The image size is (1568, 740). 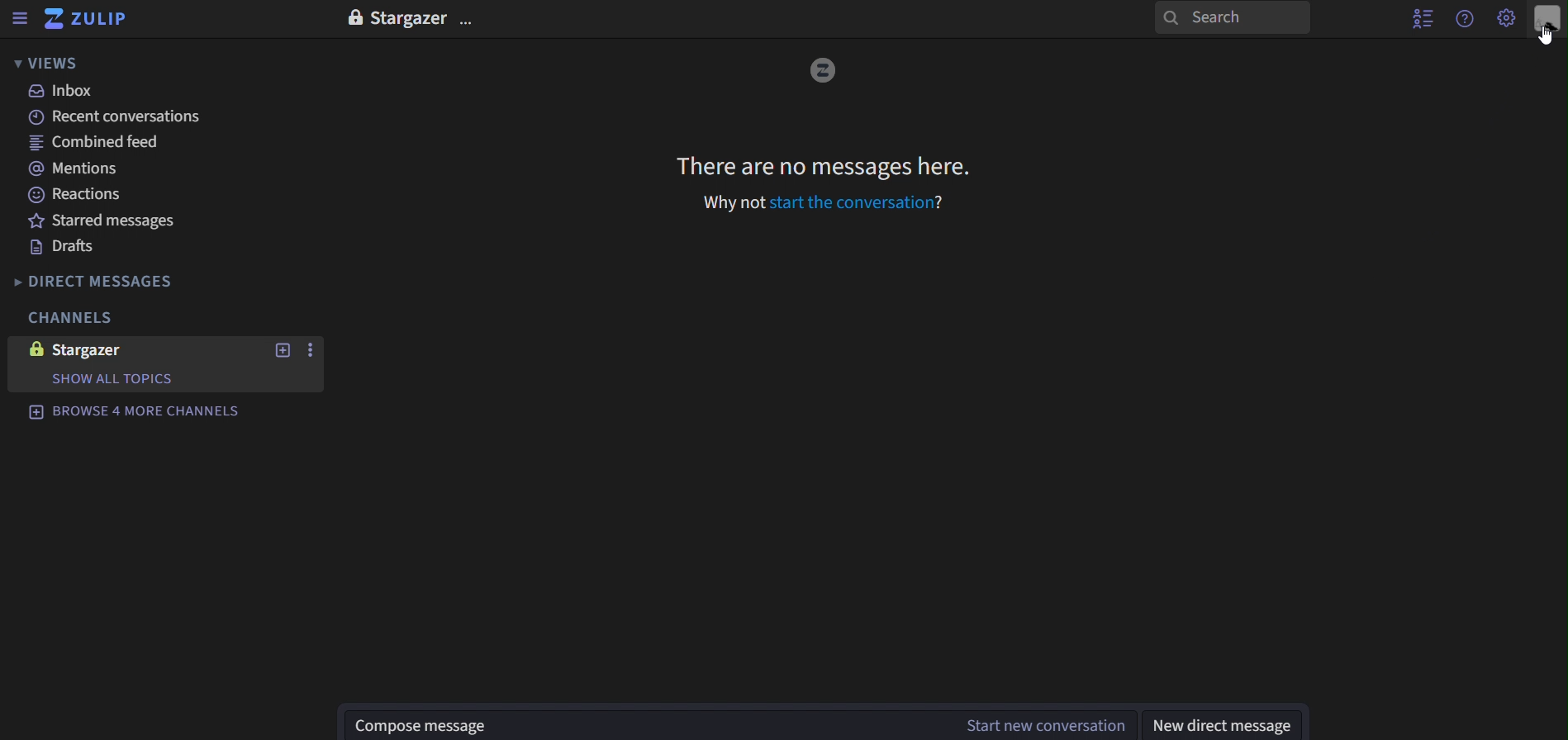 What do you see at coordinates (1239, 19) in the screenshot?
I see `search` at bounding box center [1239, 19].